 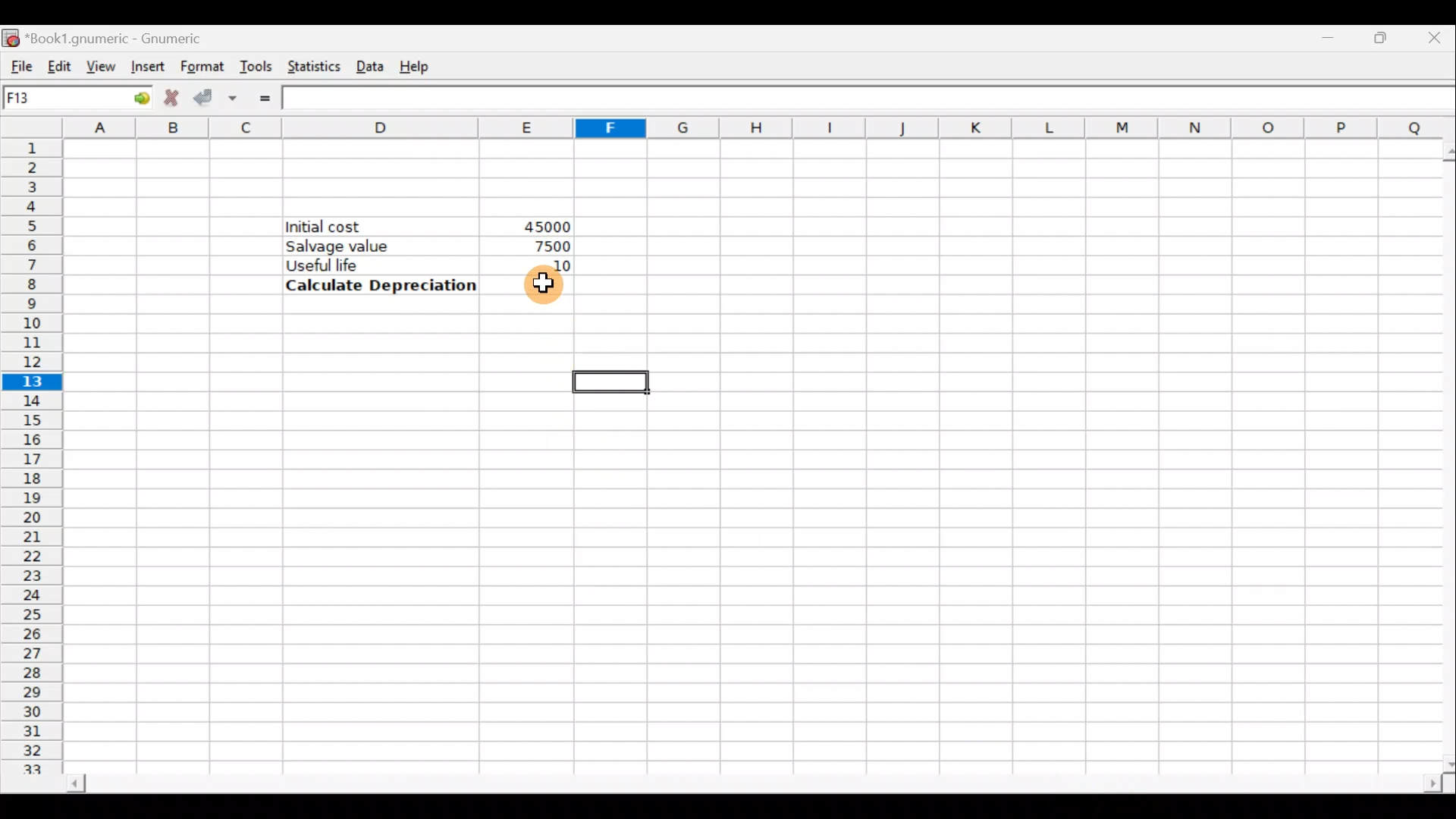 What do you see at coordinates (219, 96) in the screenshot?
I see `Accept change` at bounding box center [219, 96].